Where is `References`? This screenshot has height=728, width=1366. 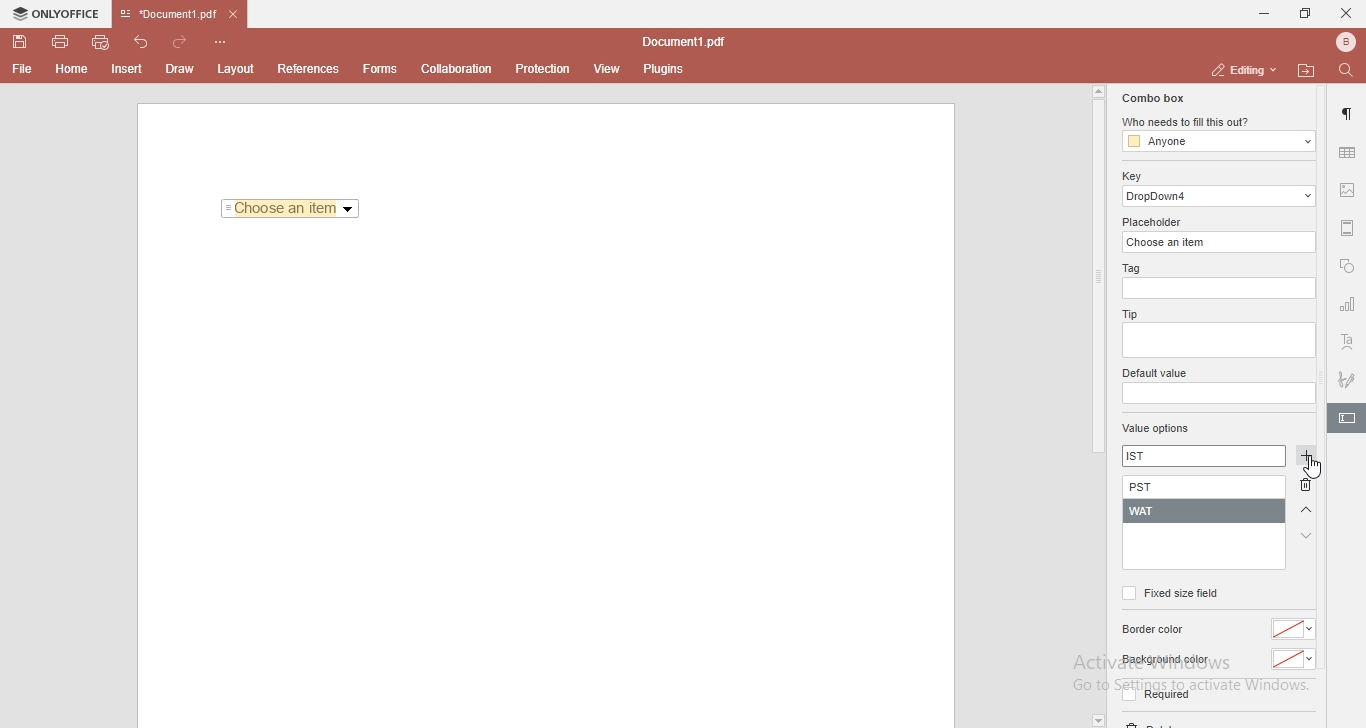
References is located at coordinates (306, 69).